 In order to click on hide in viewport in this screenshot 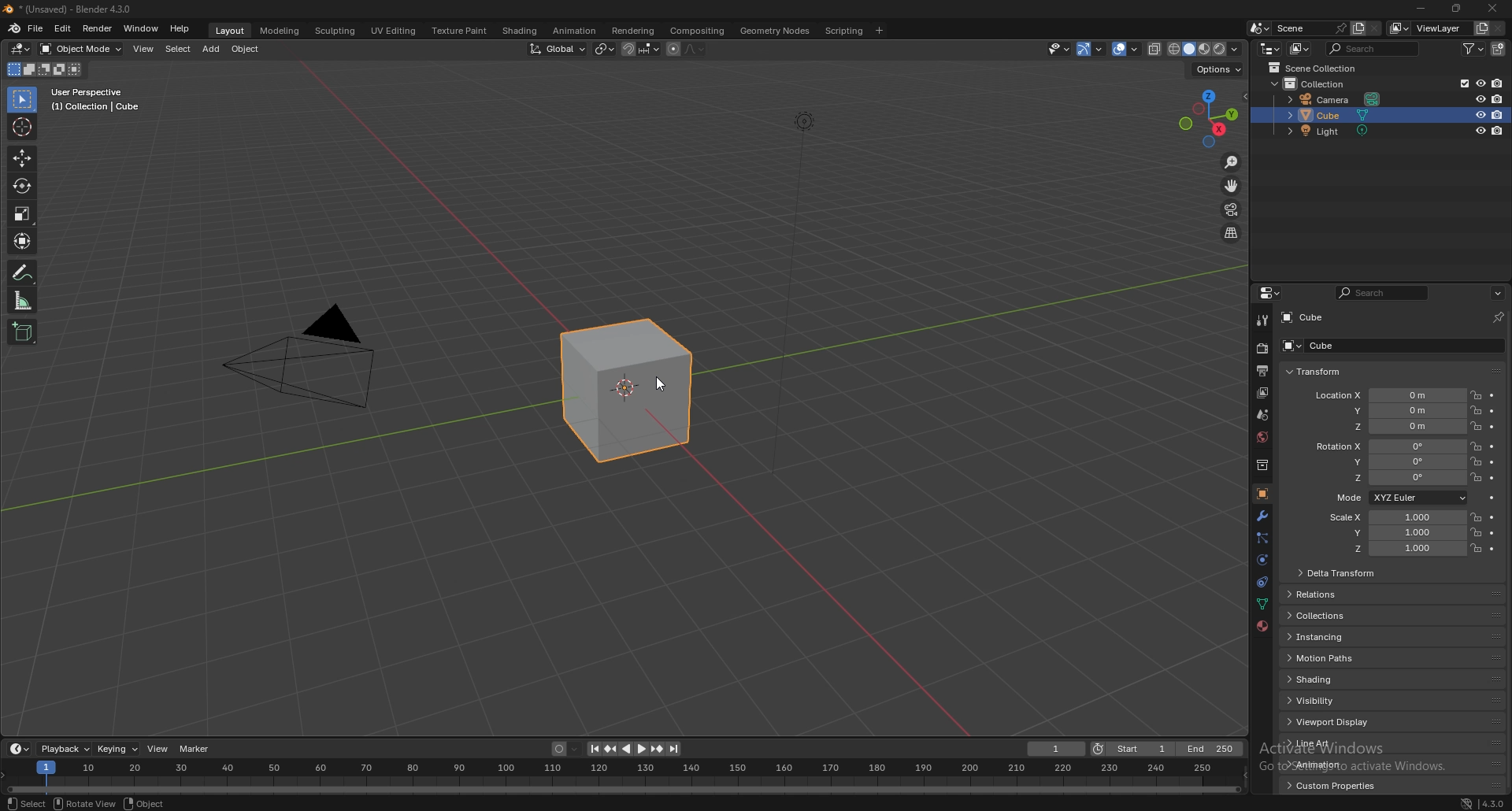, I will do `click(1480, 114)`.